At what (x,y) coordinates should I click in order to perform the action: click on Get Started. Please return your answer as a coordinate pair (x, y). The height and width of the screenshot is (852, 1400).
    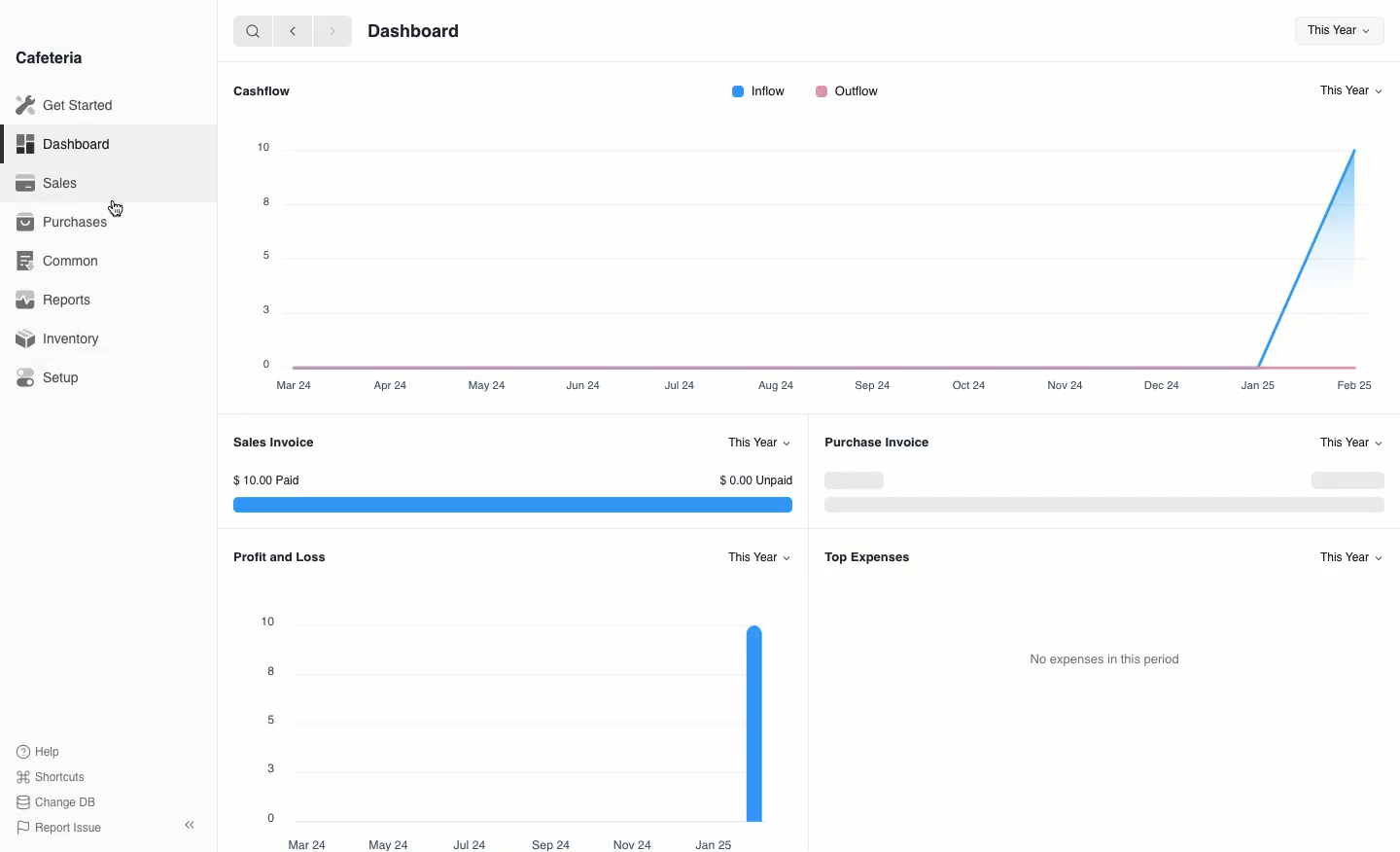
    Looking at the image, I should click on (65, 104).